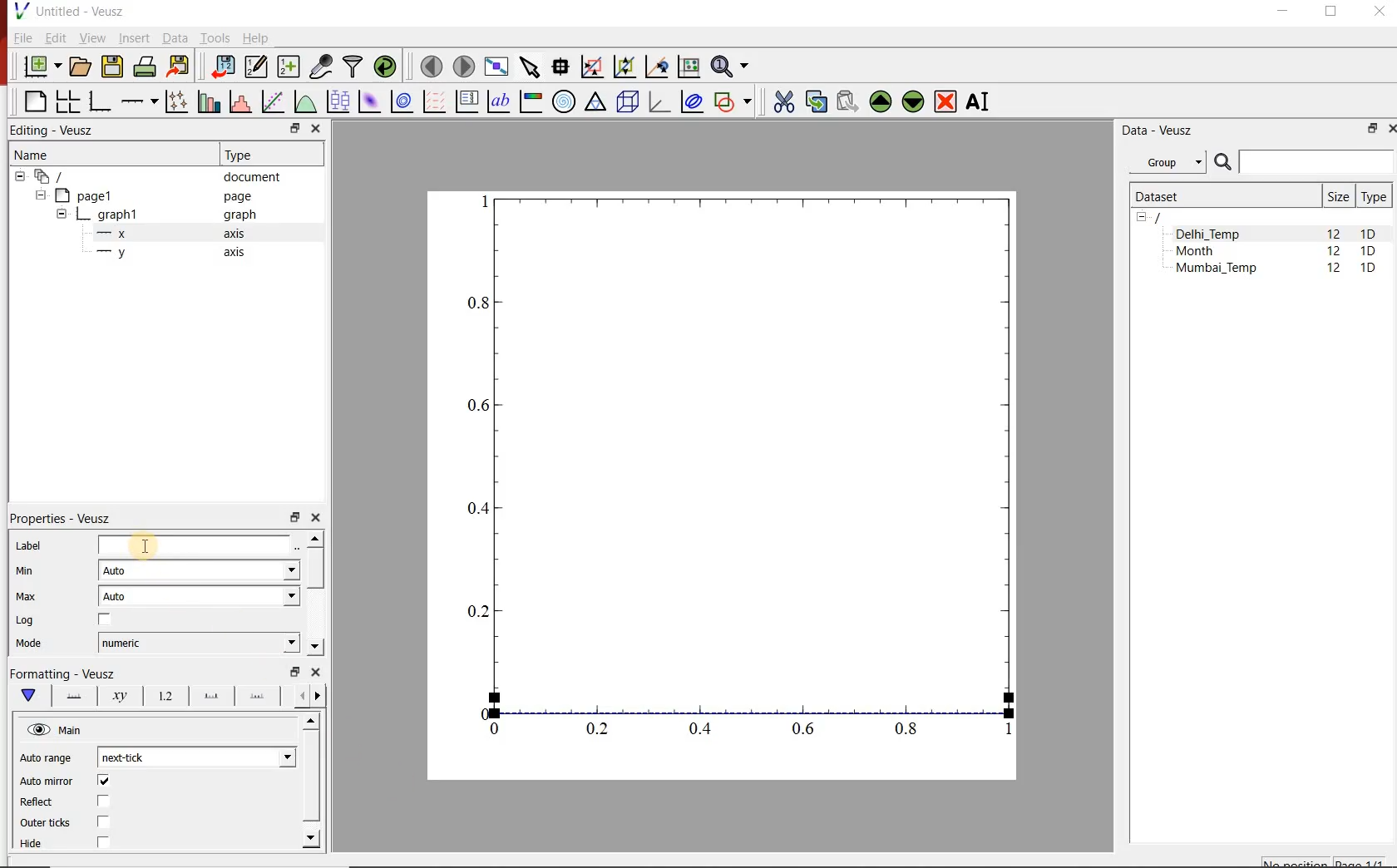 The width and height of the screenshot is (1397, 868). What do you see at coordinates (402, 102) in the screenshot?
I see `plot a 2d dataset as contours` at bounding box center [402, 102].